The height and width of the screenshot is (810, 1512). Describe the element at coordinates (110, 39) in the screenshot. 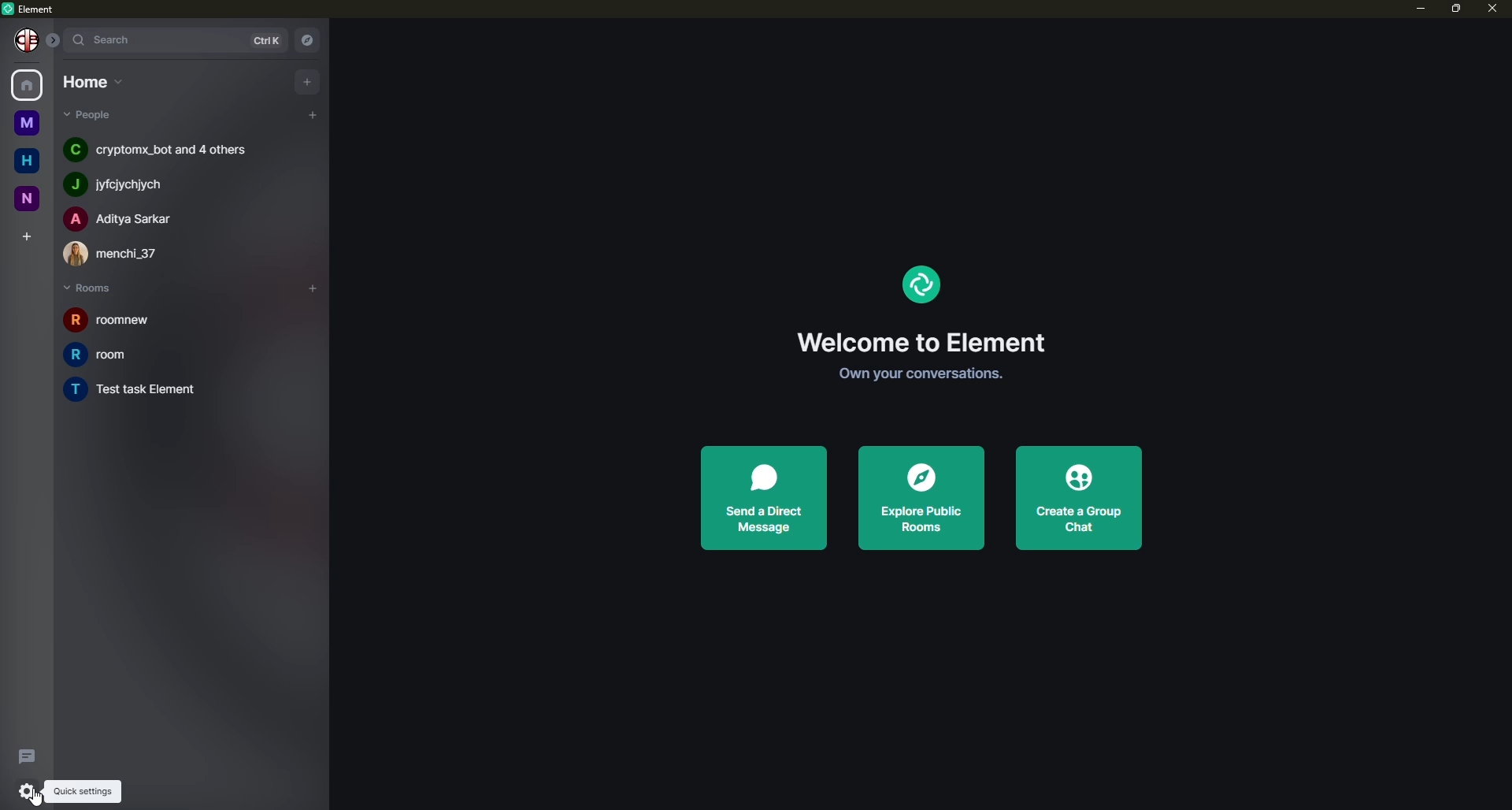

I see `search` at that location.